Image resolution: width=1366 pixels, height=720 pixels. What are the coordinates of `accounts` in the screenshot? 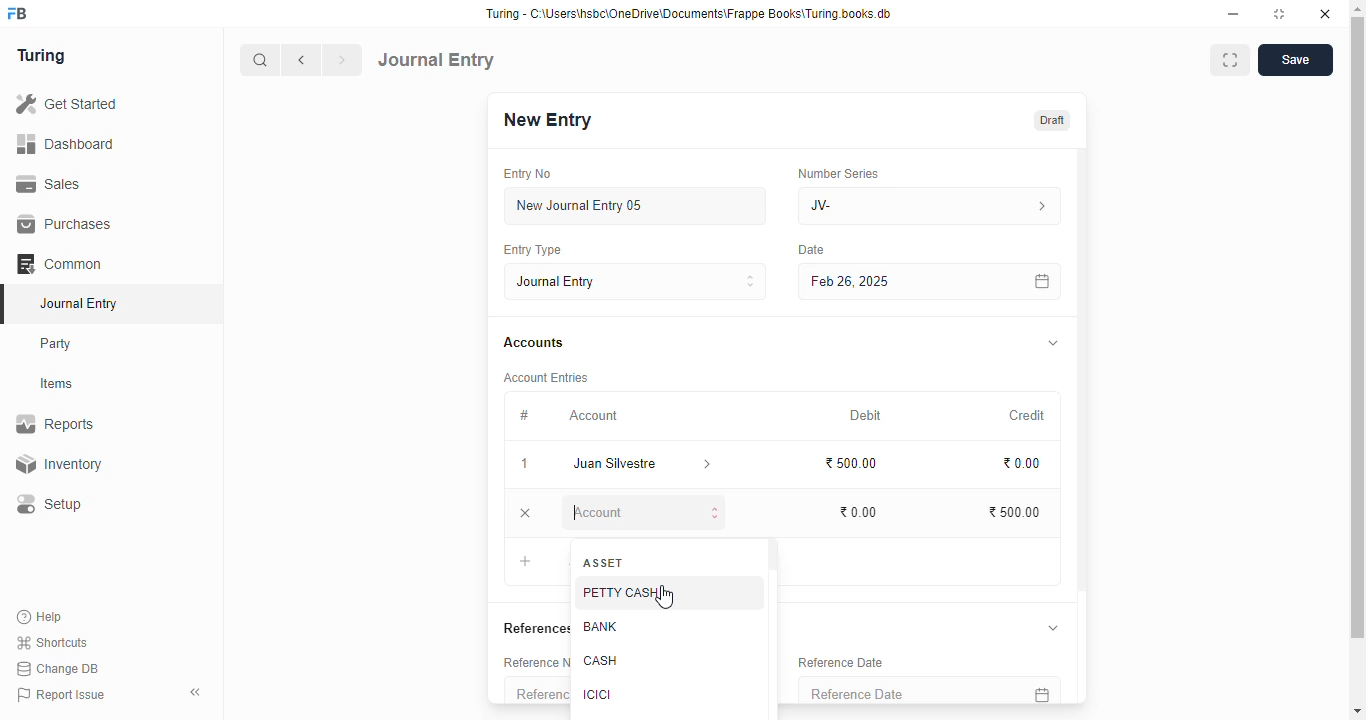 It's located at (531, 343).